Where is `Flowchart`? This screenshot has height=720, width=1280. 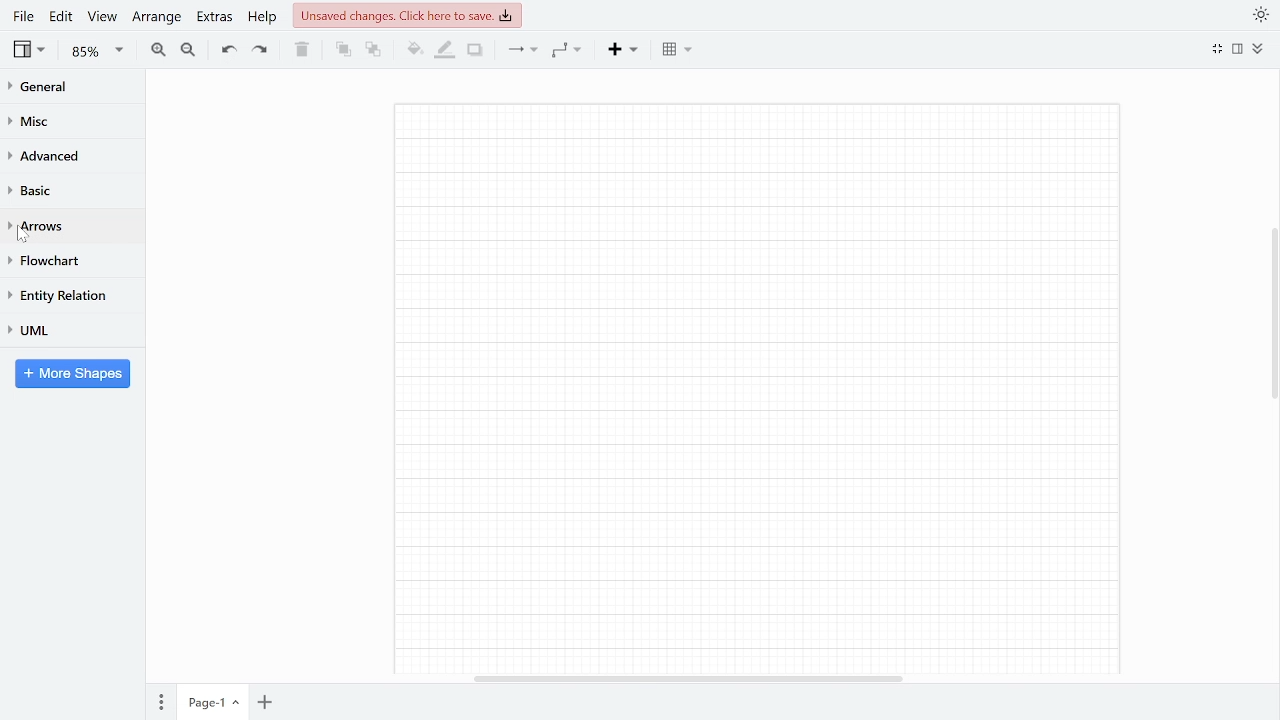 Flowchart is located at coordinates (46, 262).